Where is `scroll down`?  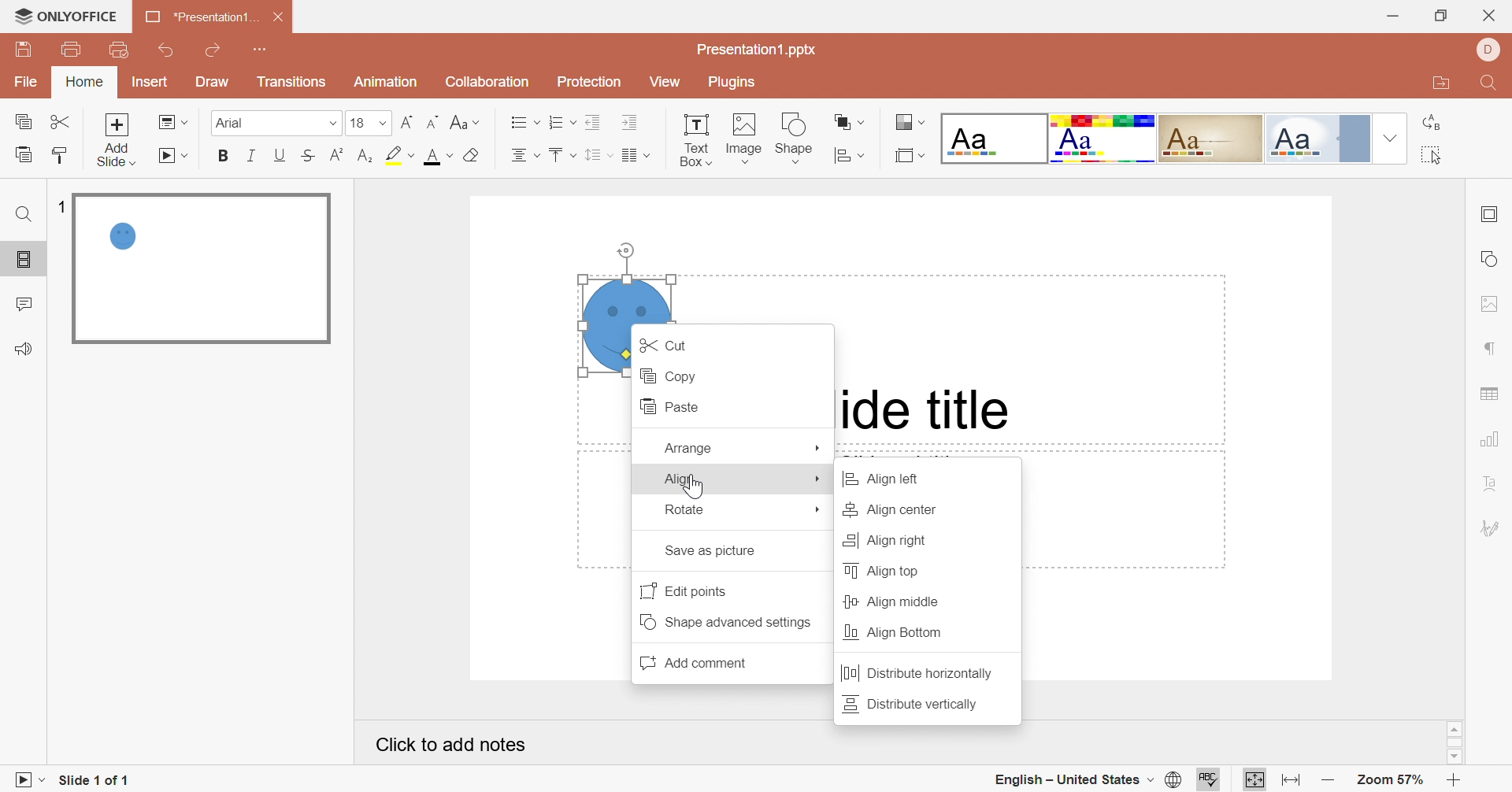
scroll down is located at coordinates (1454, 757).